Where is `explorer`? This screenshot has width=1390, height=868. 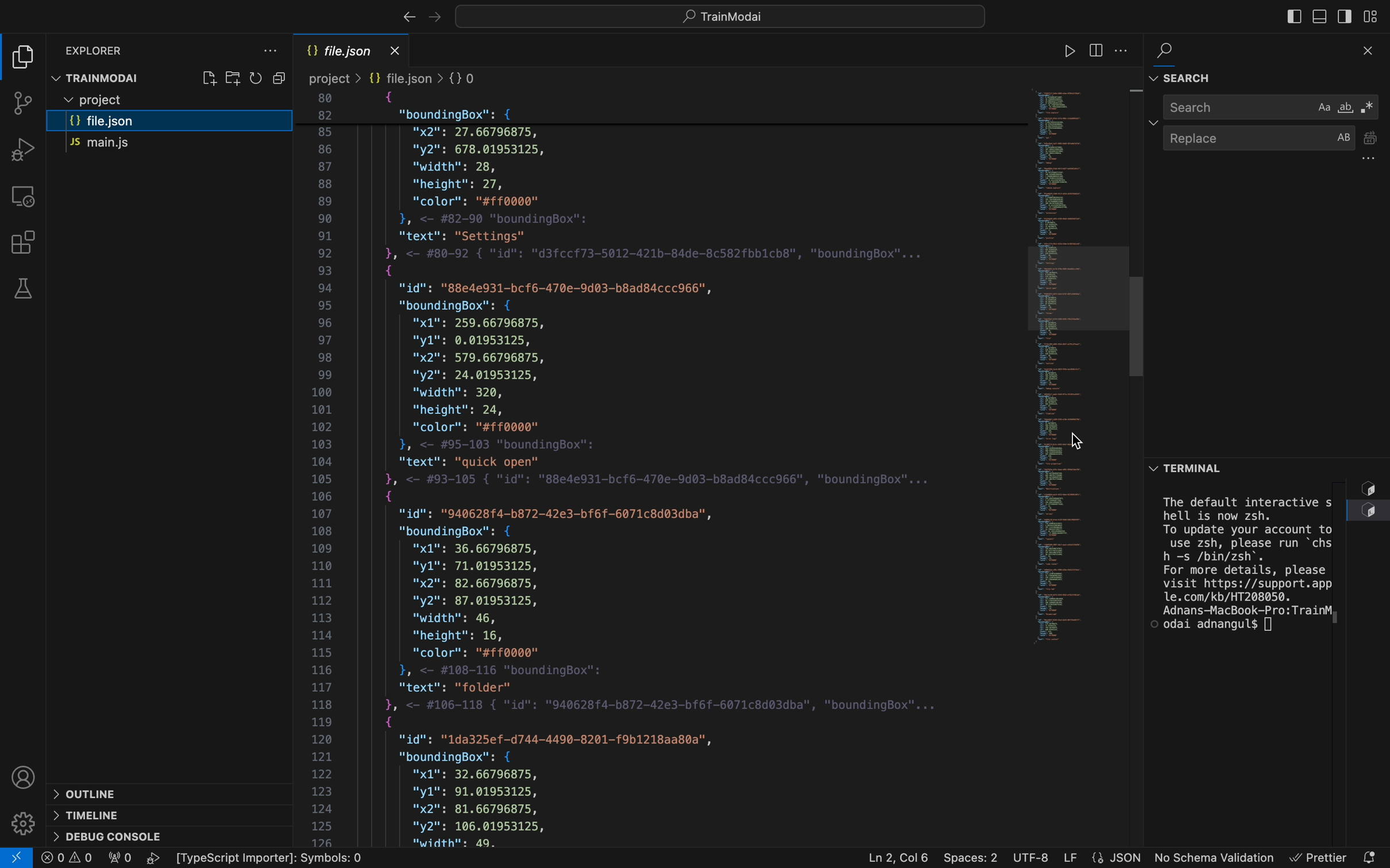
explorer is located at coordinates (111, 49).